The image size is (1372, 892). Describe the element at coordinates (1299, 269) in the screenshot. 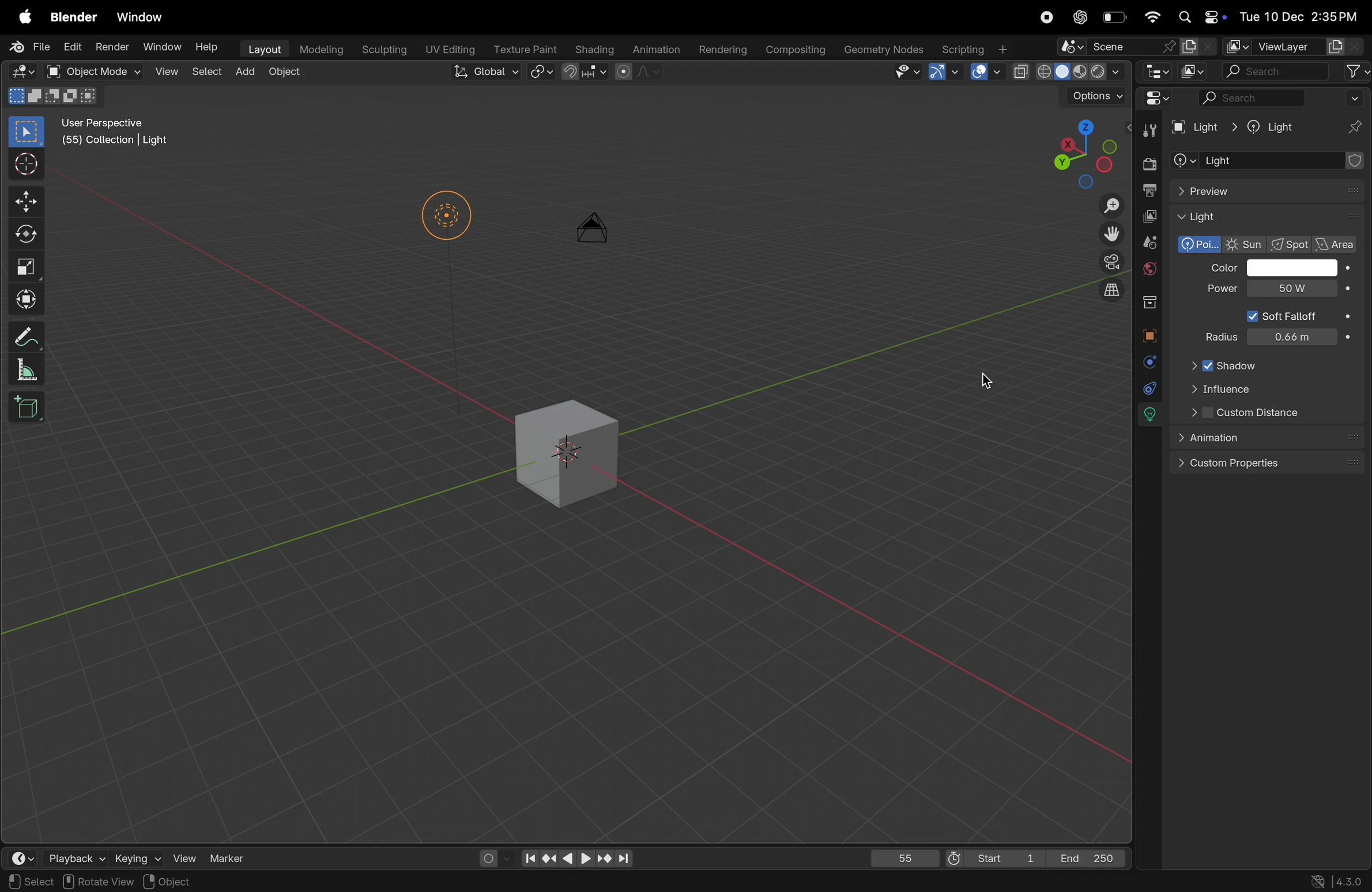

I see `color` at that location.